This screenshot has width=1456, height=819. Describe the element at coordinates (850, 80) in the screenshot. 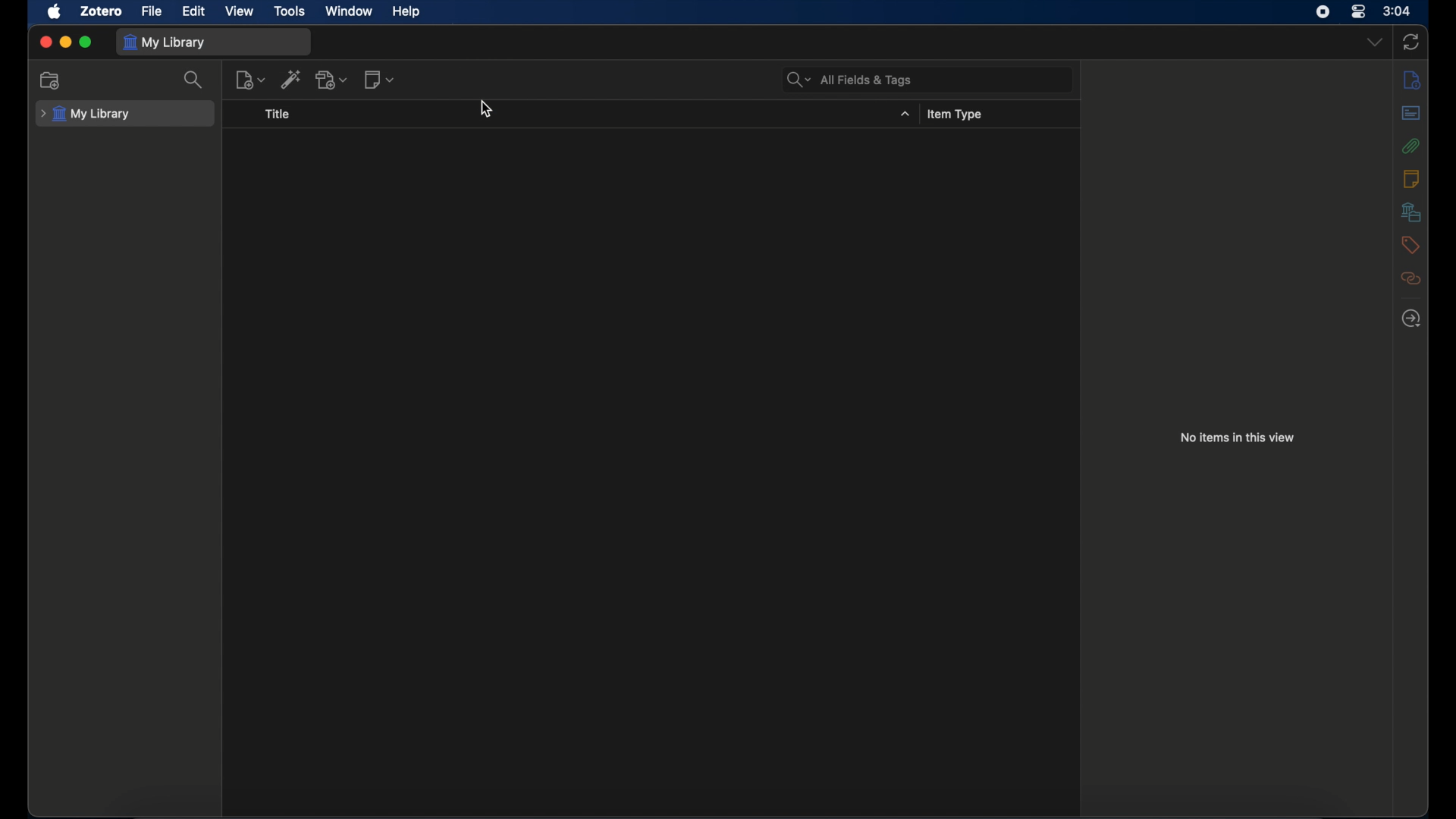

I see `all fields & tags` at that location.